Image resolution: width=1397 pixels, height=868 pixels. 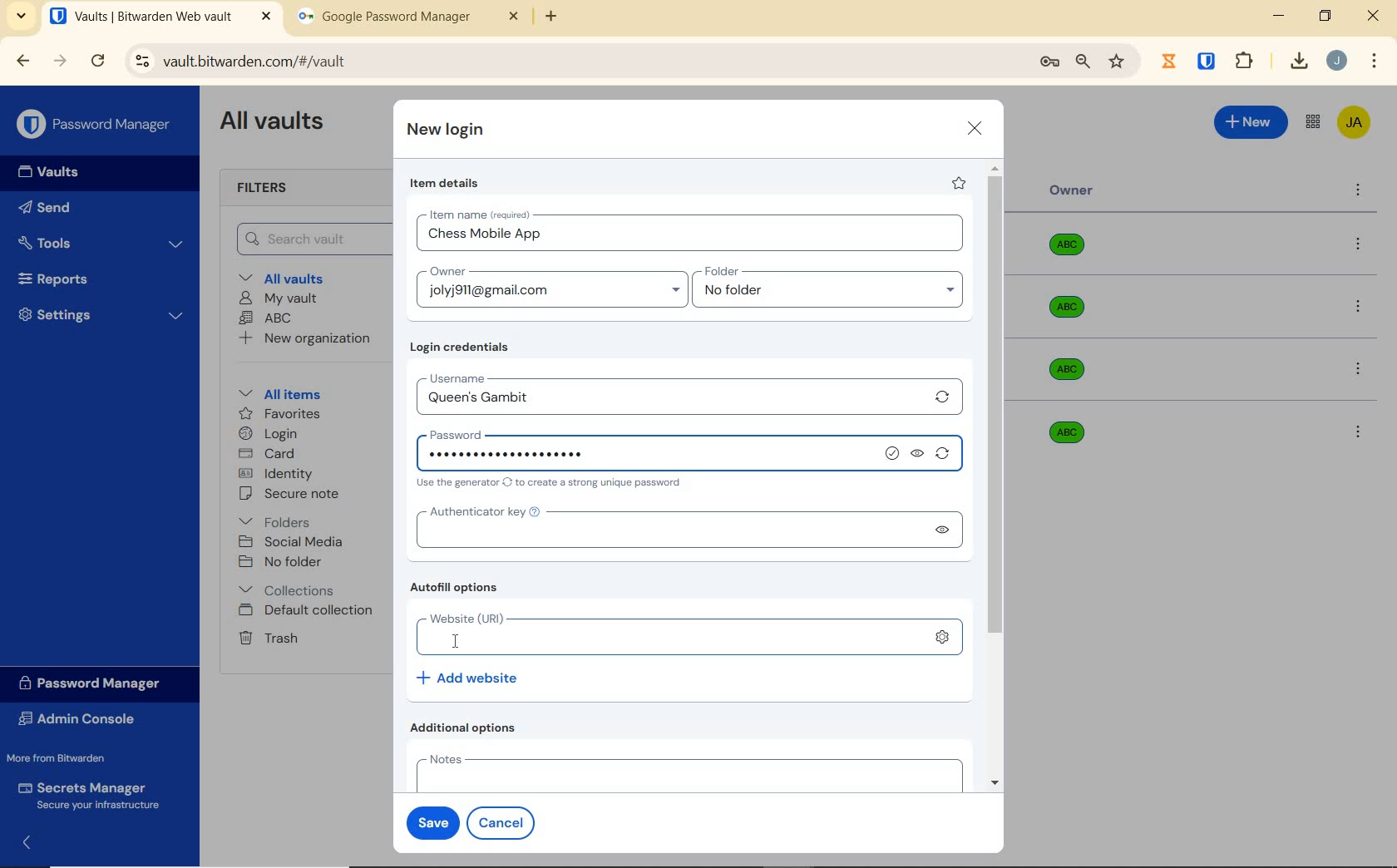 What do you see at coordinates (1208, 60) in the screenshot?
I see `extensions` at bounding box center [1208, 60].